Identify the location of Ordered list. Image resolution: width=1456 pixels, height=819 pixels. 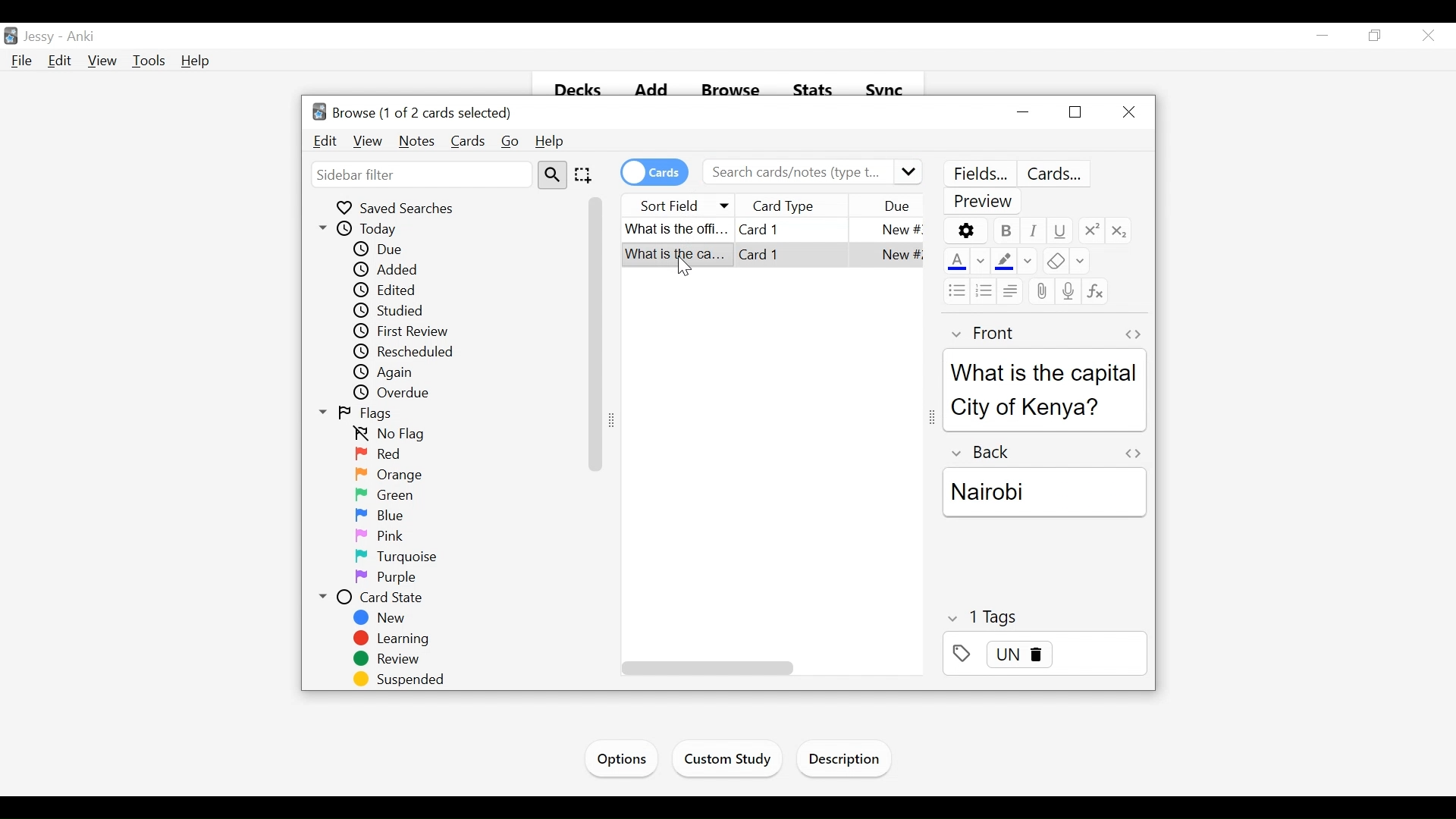
(984, 290).